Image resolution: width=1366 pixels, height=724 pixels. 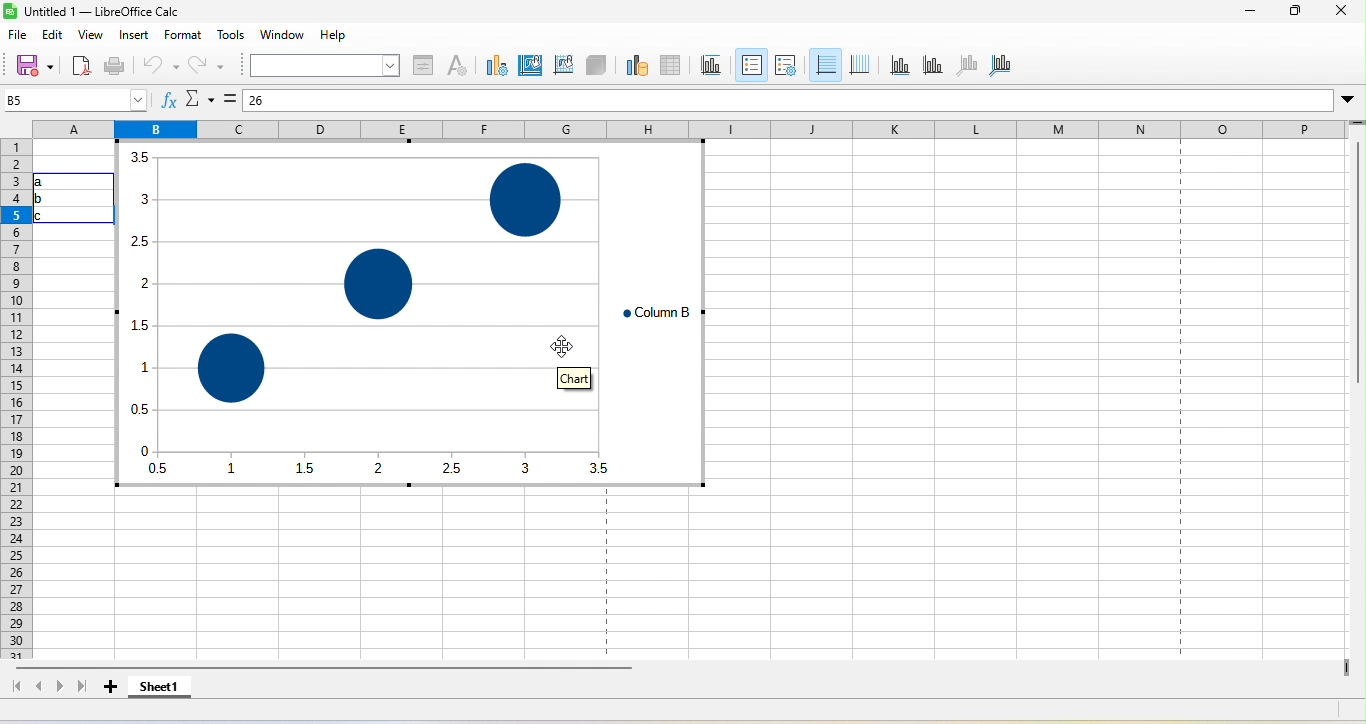 What do you see at coordinates (23, 36) in the screenshot?
I see `file` at bounding box center [23, 36].